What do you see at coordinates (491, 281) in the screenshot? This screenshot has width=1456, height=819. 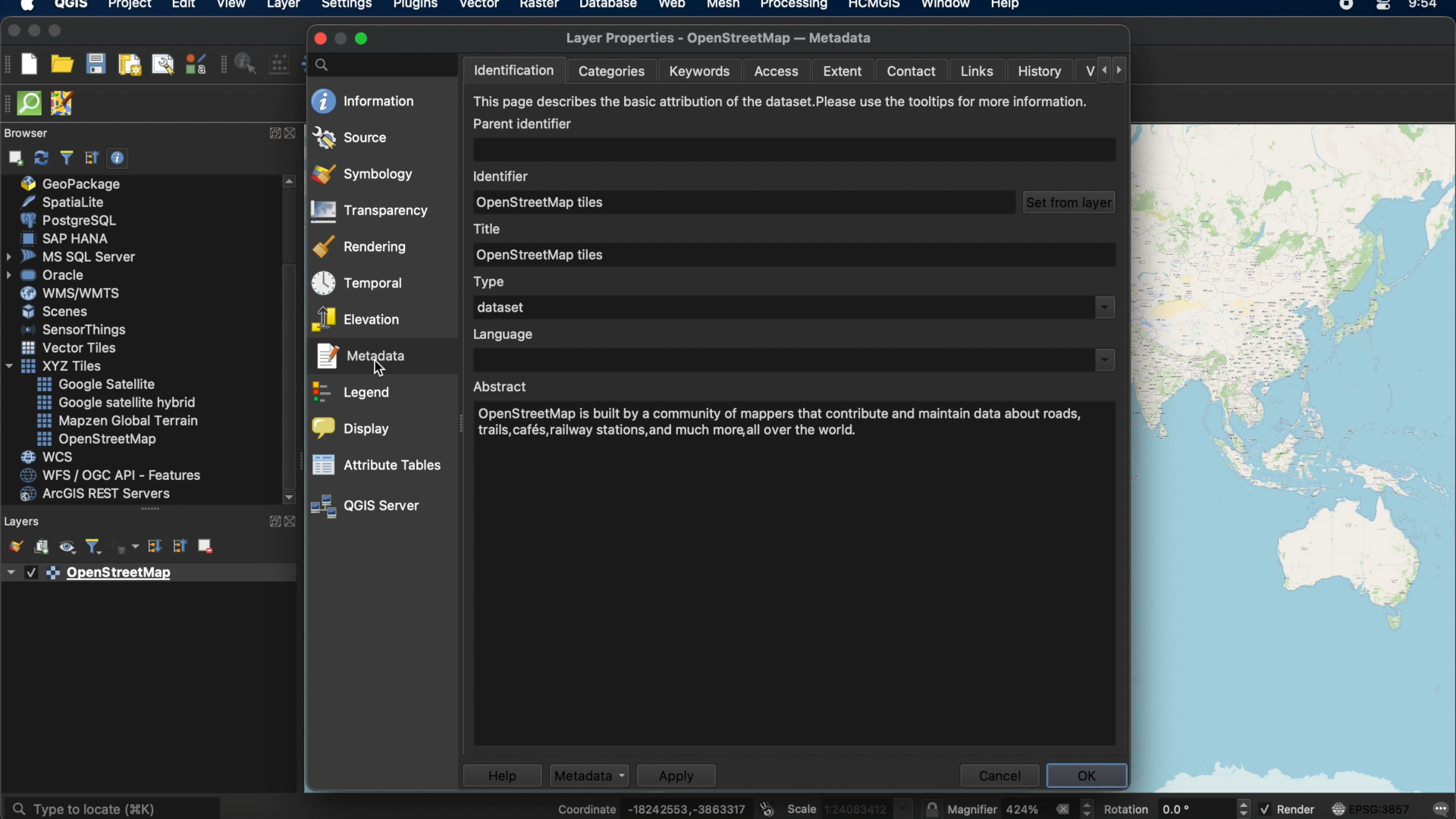 I see `type` at bounding box center [491, 281].